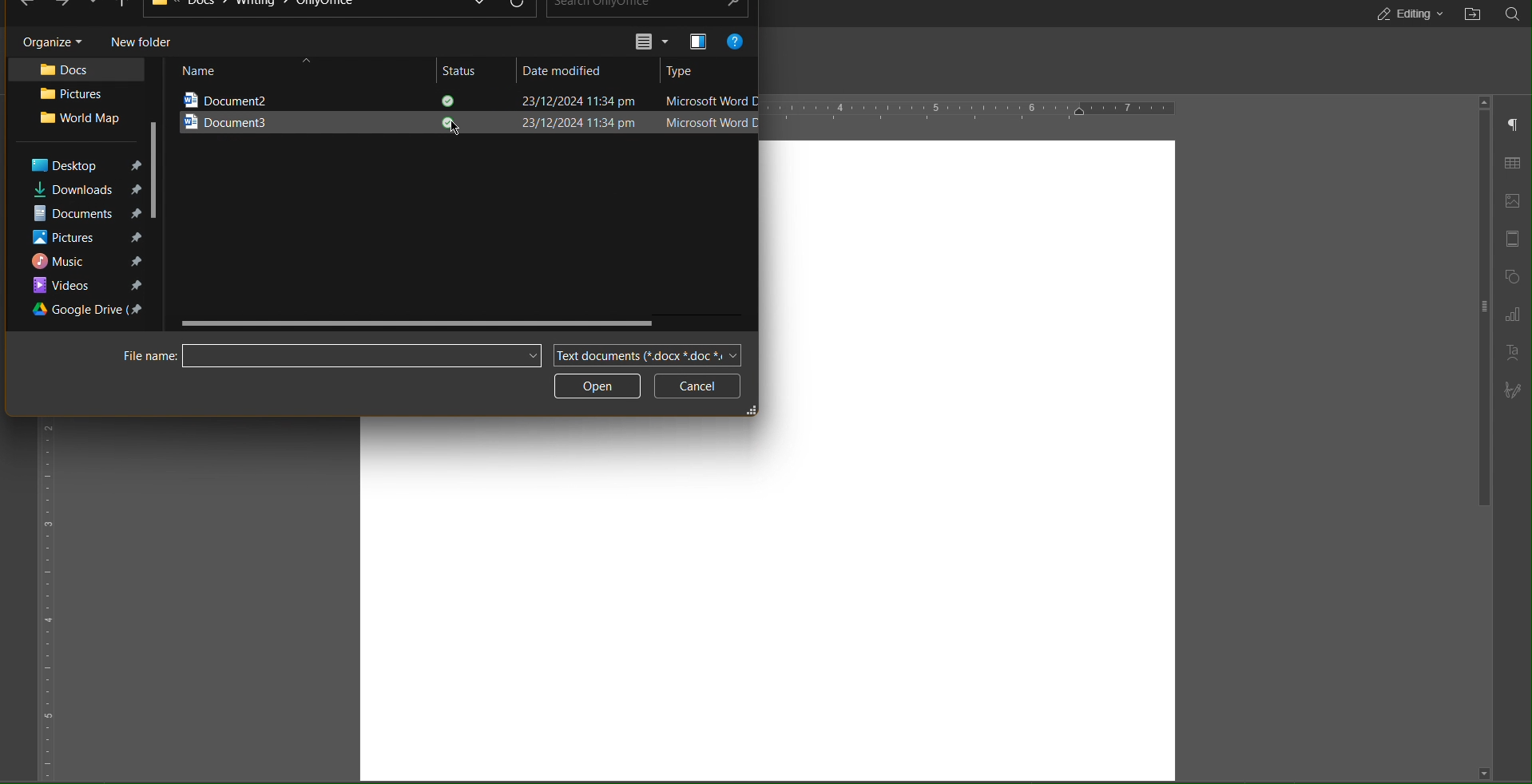 Image resolution: width=1532 pixels, height=784 pixels. What do you see at coordinates (419, 323) in the screenshot?
I see `Scrollbar` at bounding box center [419, 323].